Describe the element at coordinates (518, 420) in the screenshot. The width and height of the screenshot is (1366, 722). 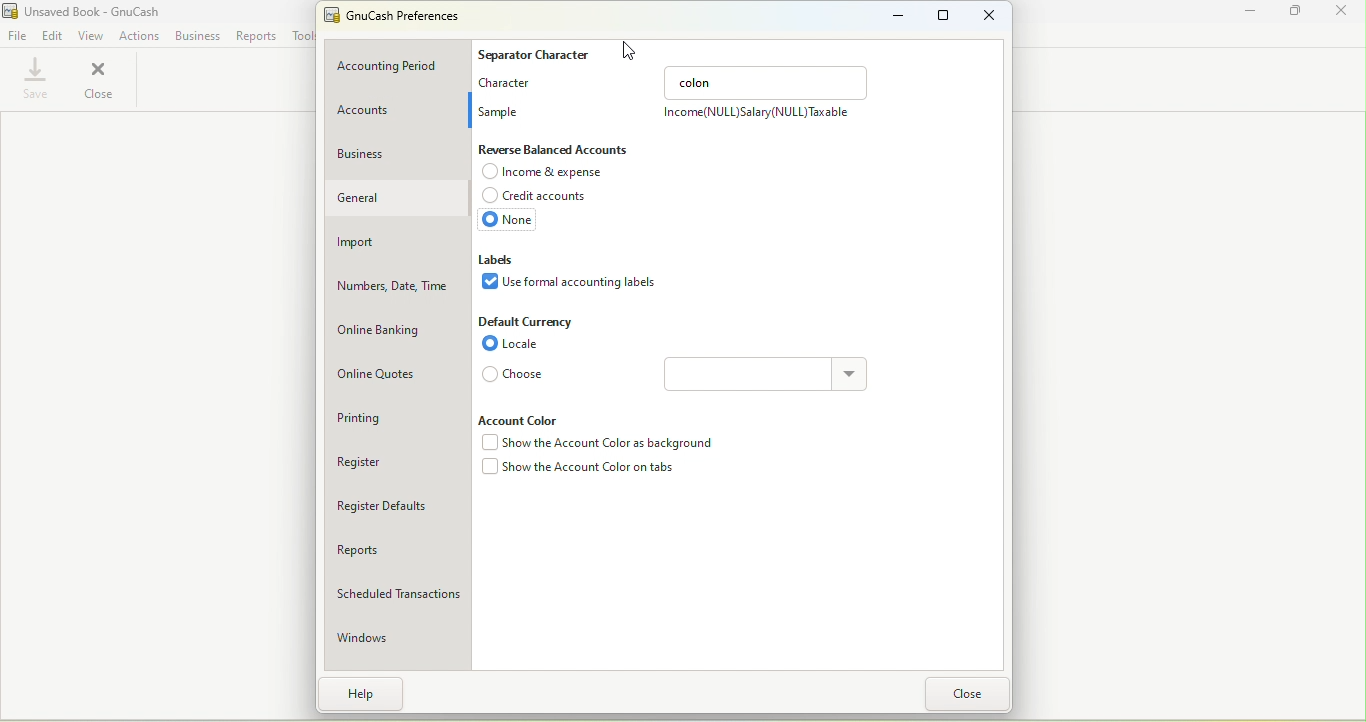
I see `Account color` at that location.